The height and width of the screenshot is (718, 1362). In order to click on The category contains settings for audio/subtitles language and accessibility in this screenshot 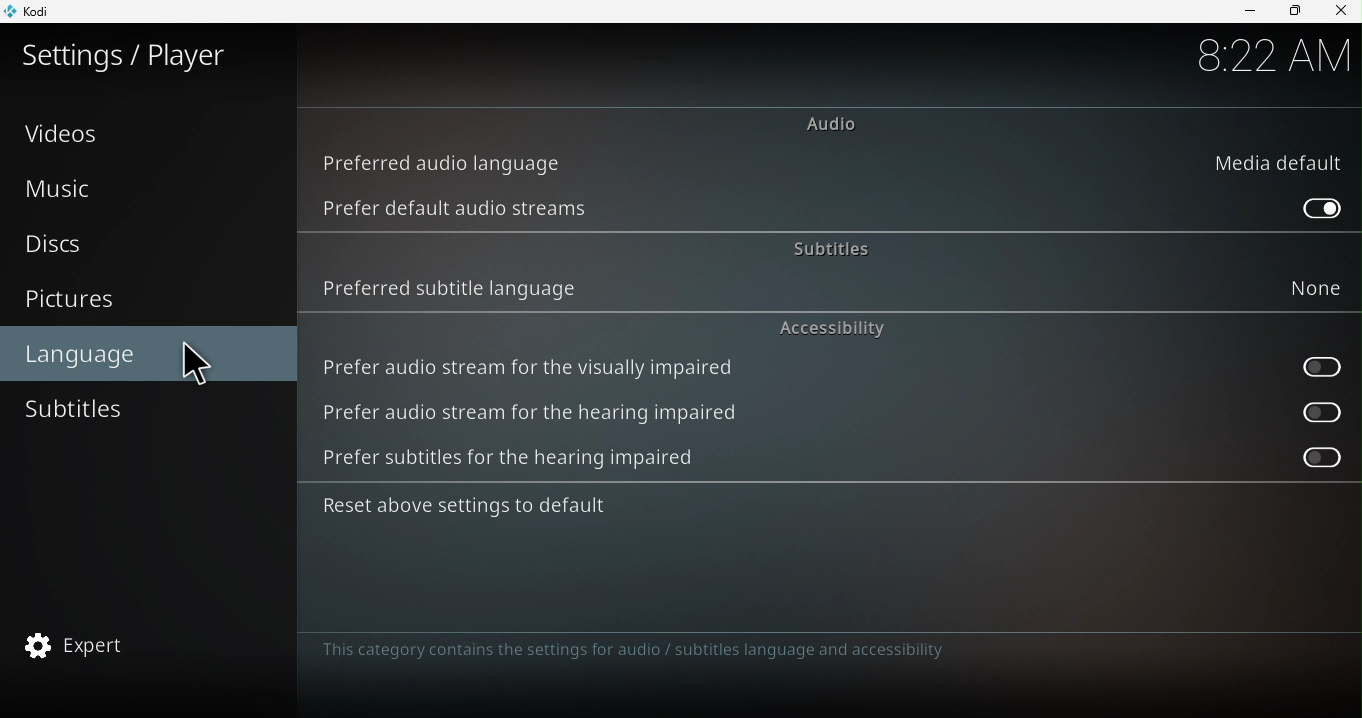, I will do `click(652, 657)`.